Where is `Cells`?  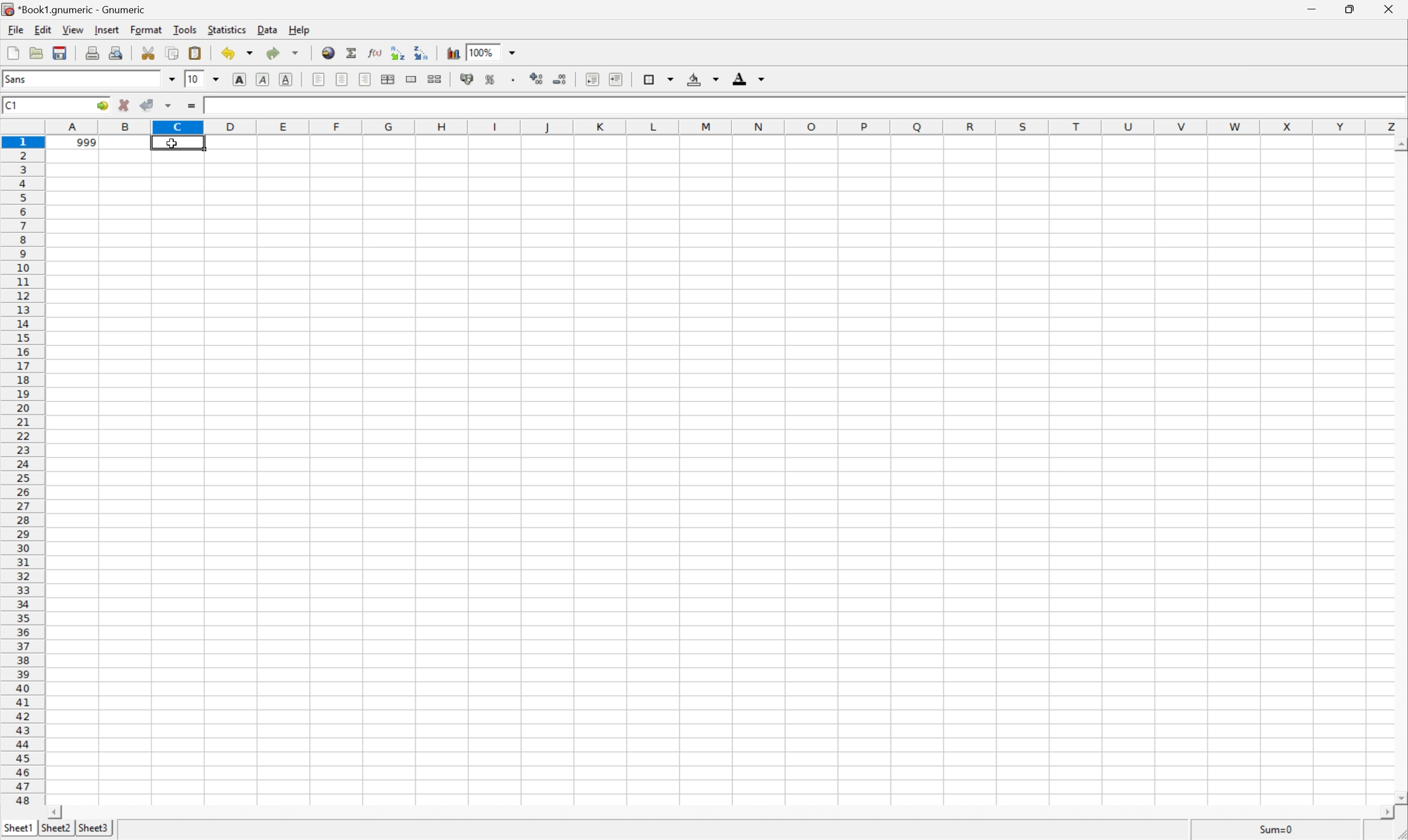 Cells is located at coordinates (727, 478).